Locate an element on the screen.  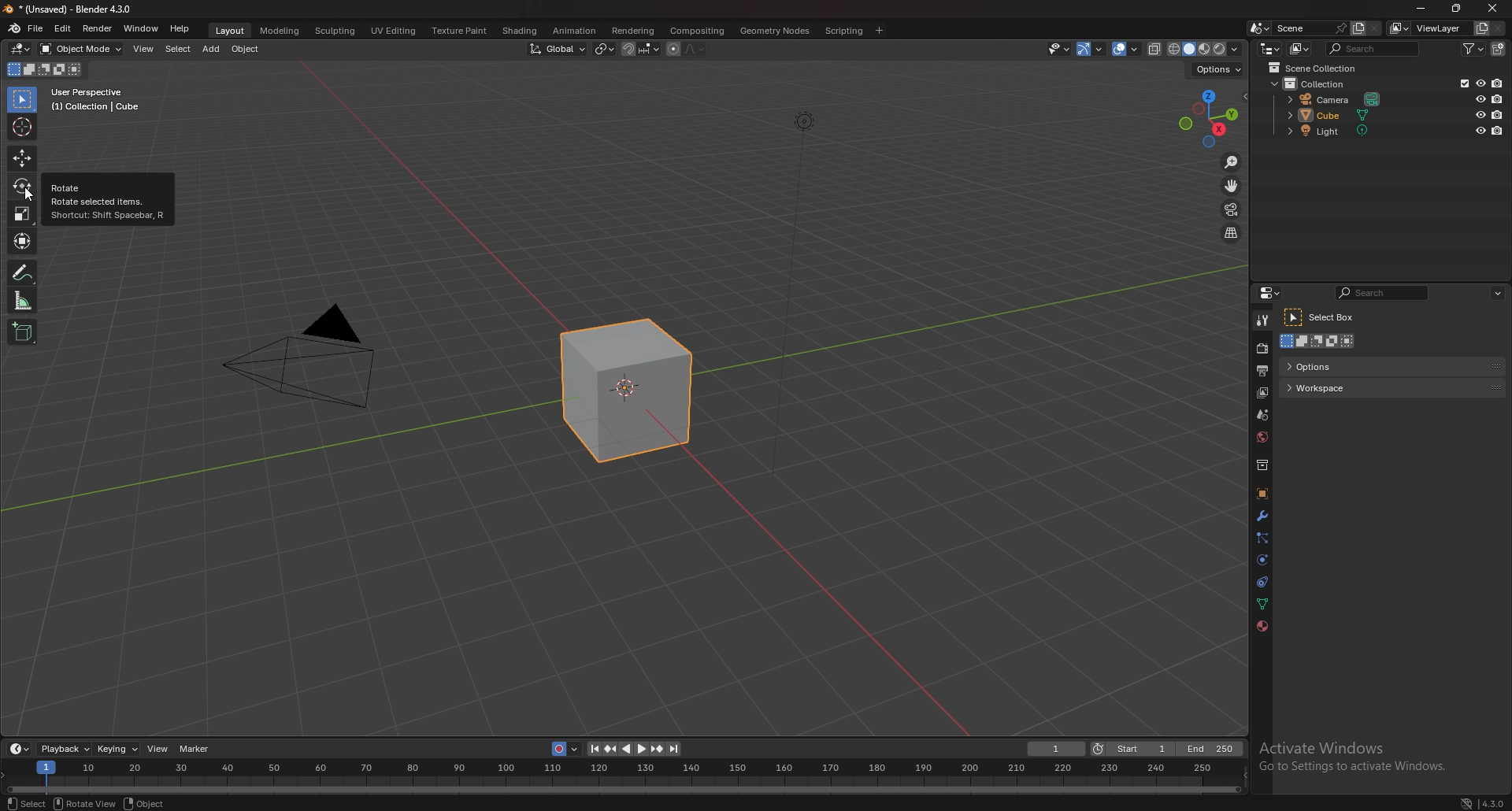
window is located at coordinates (140, 28).